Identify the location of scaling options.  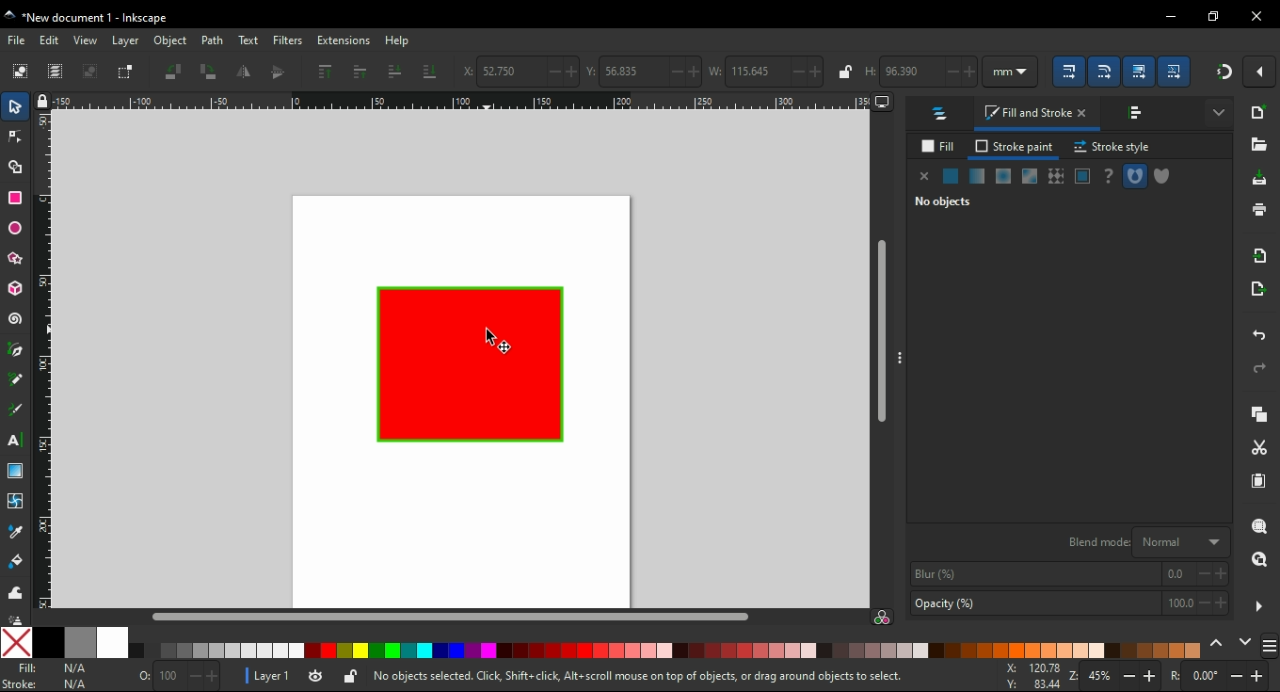
(1103, 70).